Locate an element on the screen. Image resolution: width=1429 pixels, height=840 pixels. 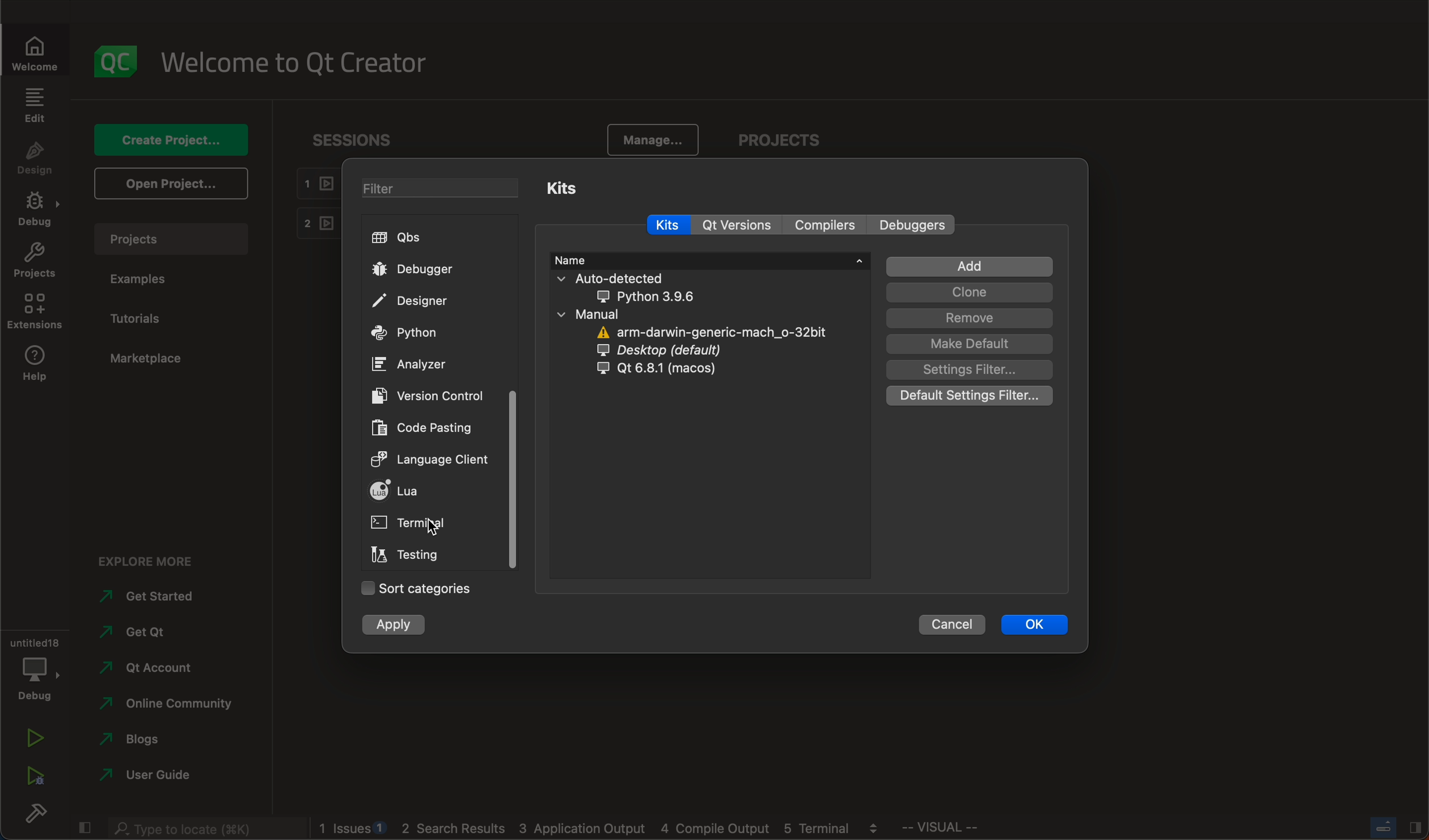
kits is located at coordinates (566, 188).